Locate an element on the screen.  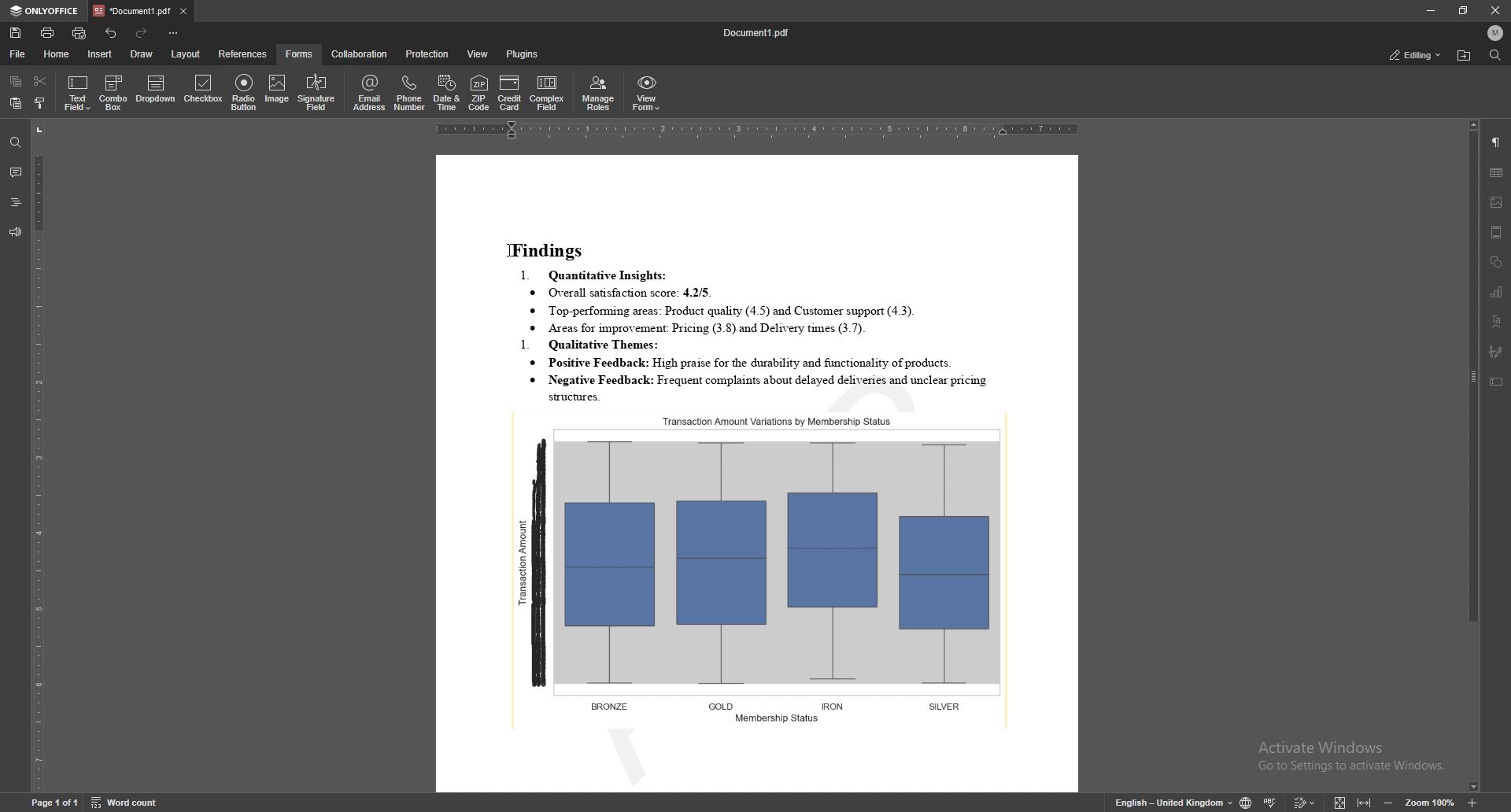
print is located at coordinates (48, 33).